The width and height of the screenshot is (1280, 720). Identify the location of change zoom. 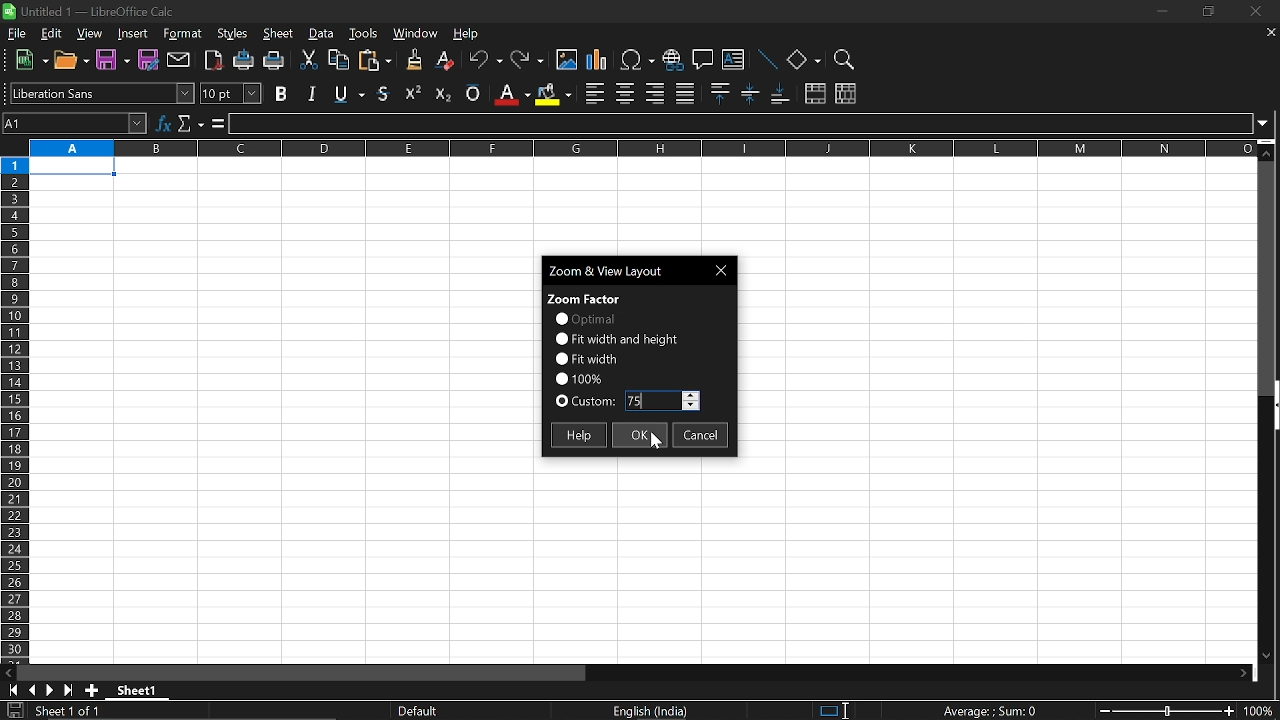
(1166, 712).